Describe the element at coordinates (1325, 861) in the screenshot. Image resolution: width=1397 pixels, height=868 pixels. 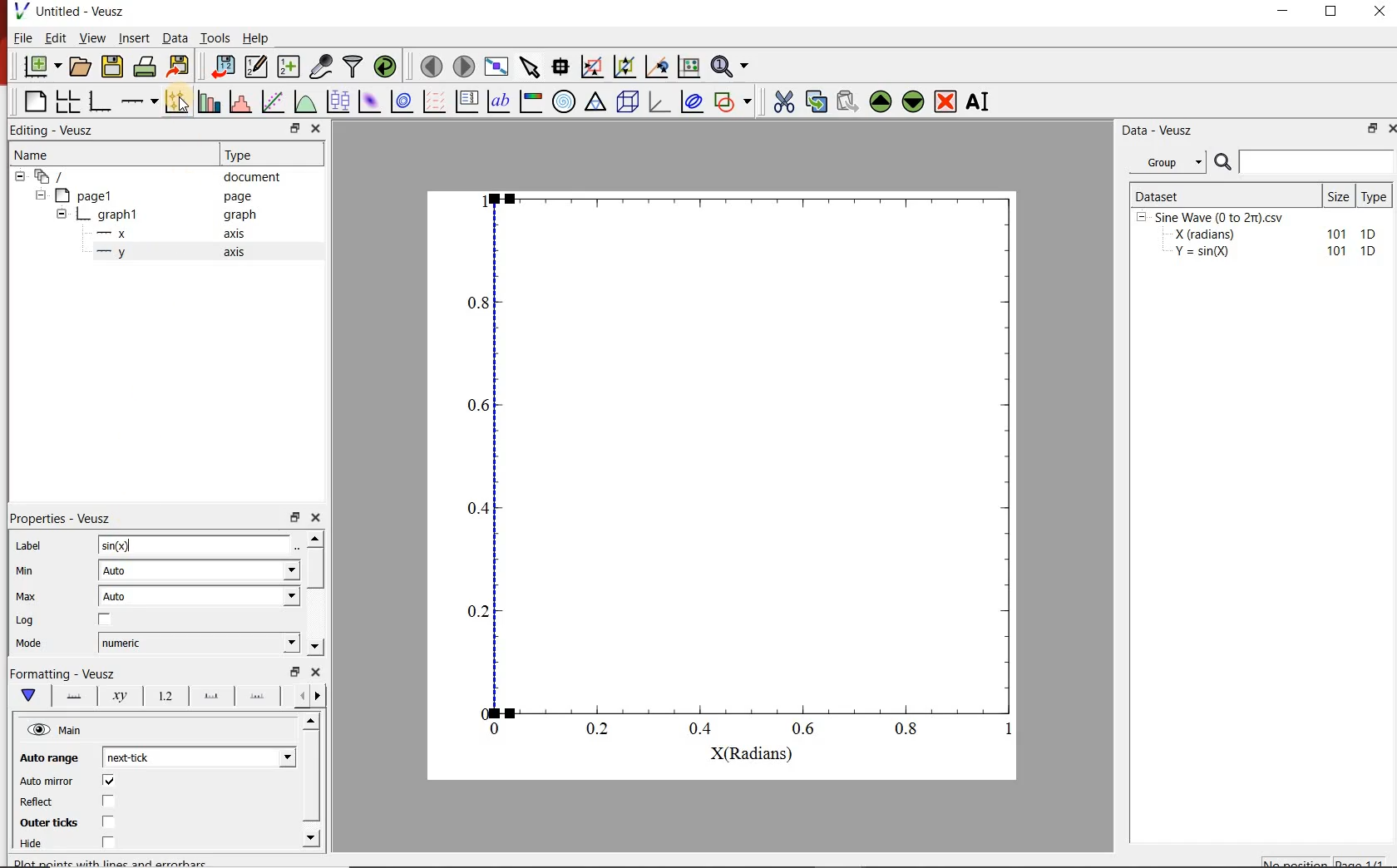
I see `no positions` at that location.